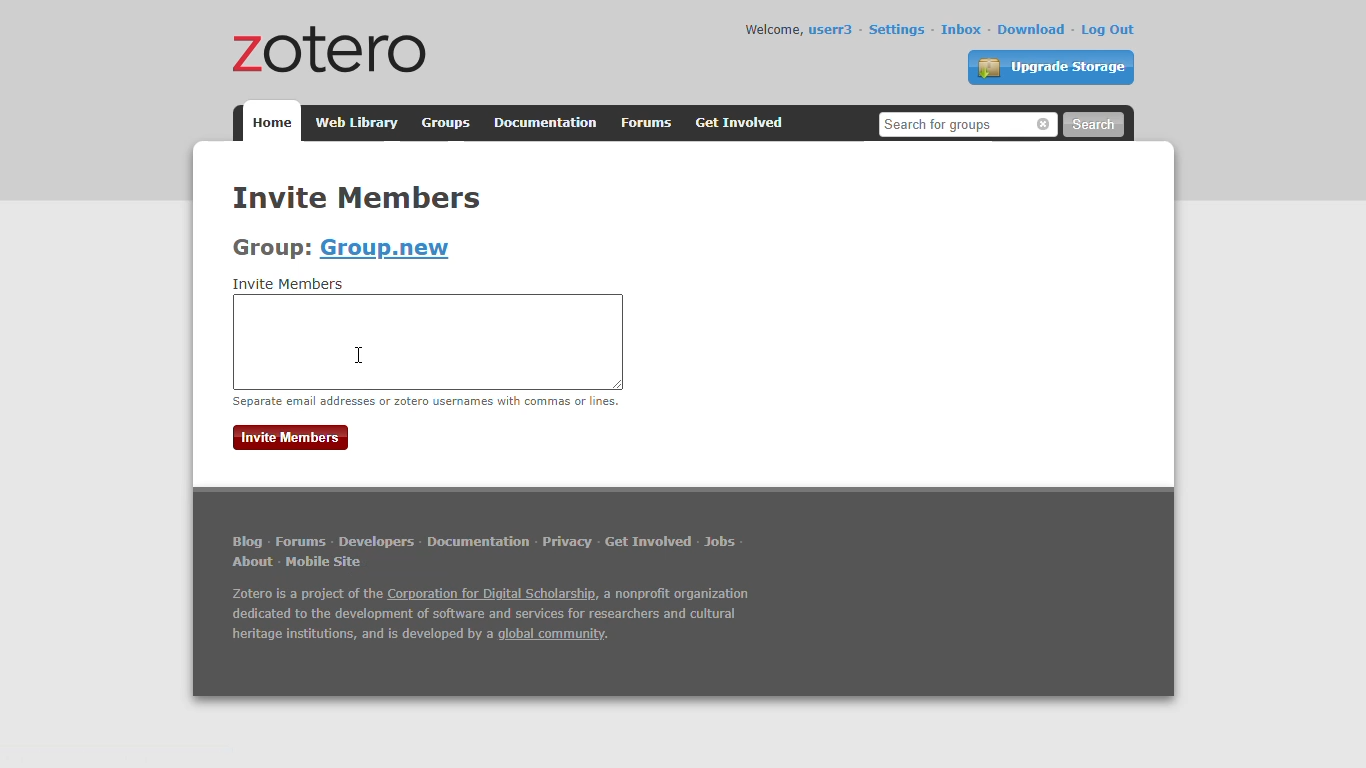 Image resolution: width=1366 pixels, height=768 pixels. I want to click on welcome,, so click(772, 29).